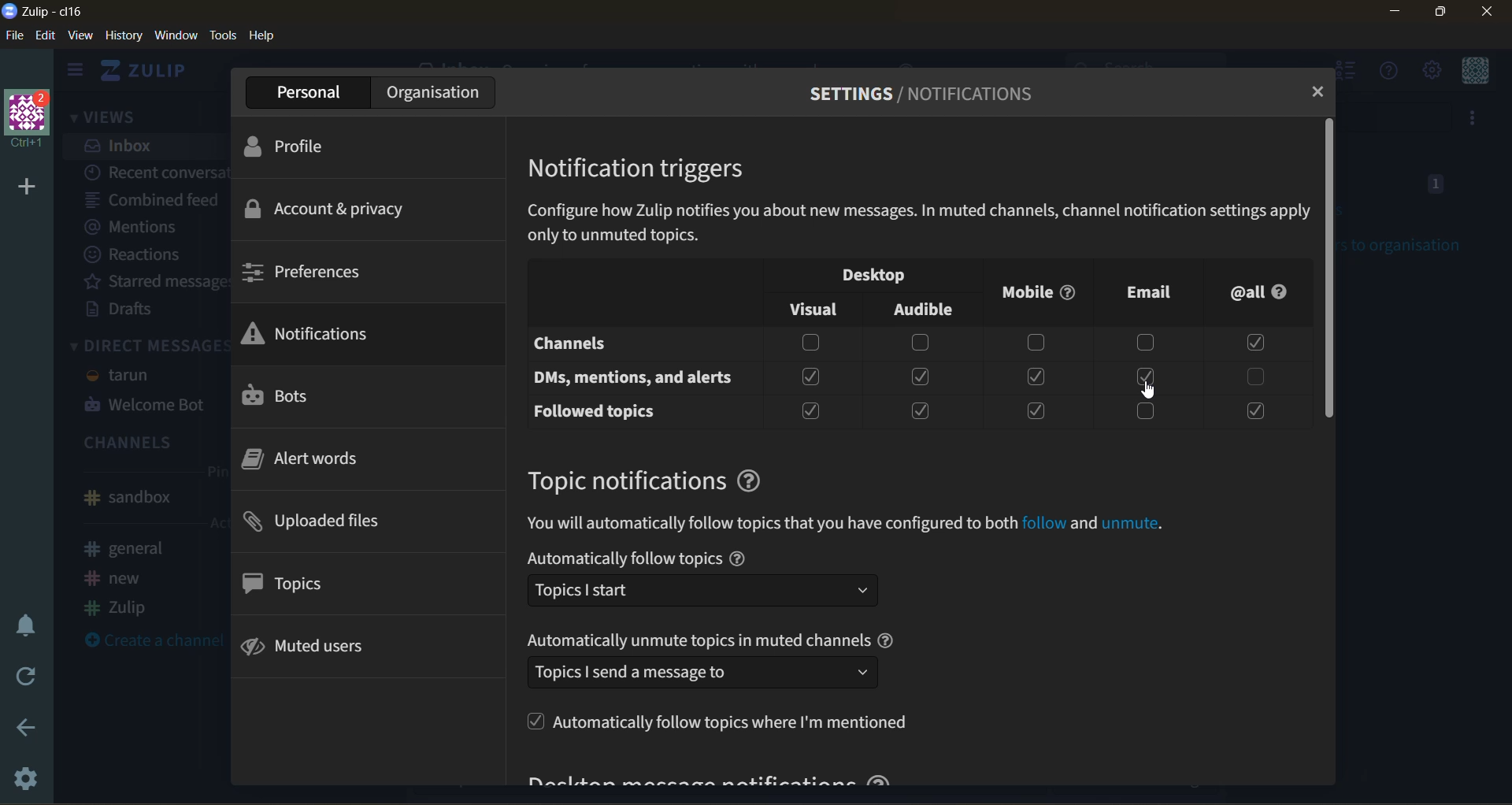  What do you see at coordinates (1383, 71) in the screenshot?
I see `help menu` at bounding box center [1383, 71].